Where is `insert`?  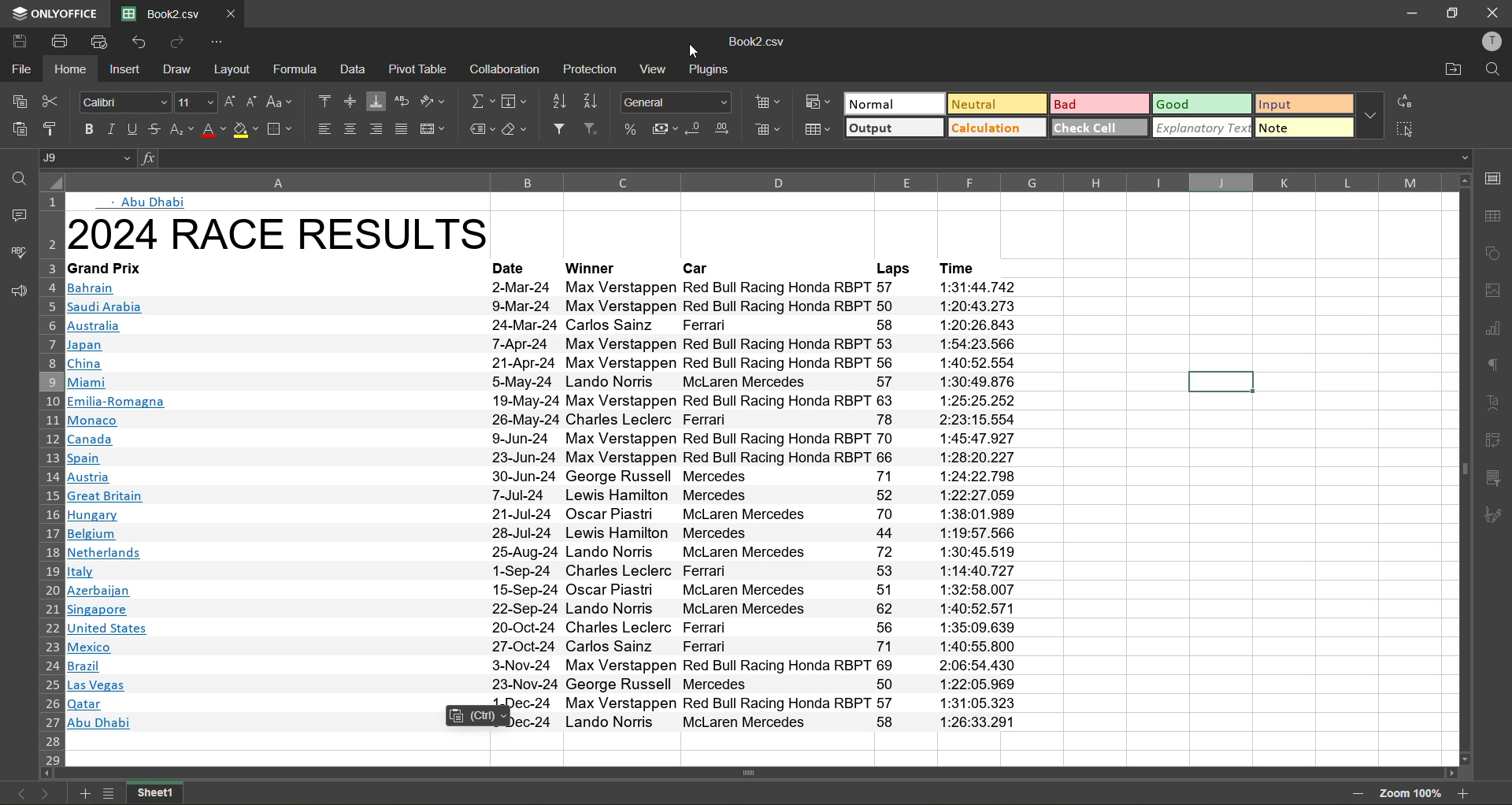 insert is located at coordinates (128, 69).